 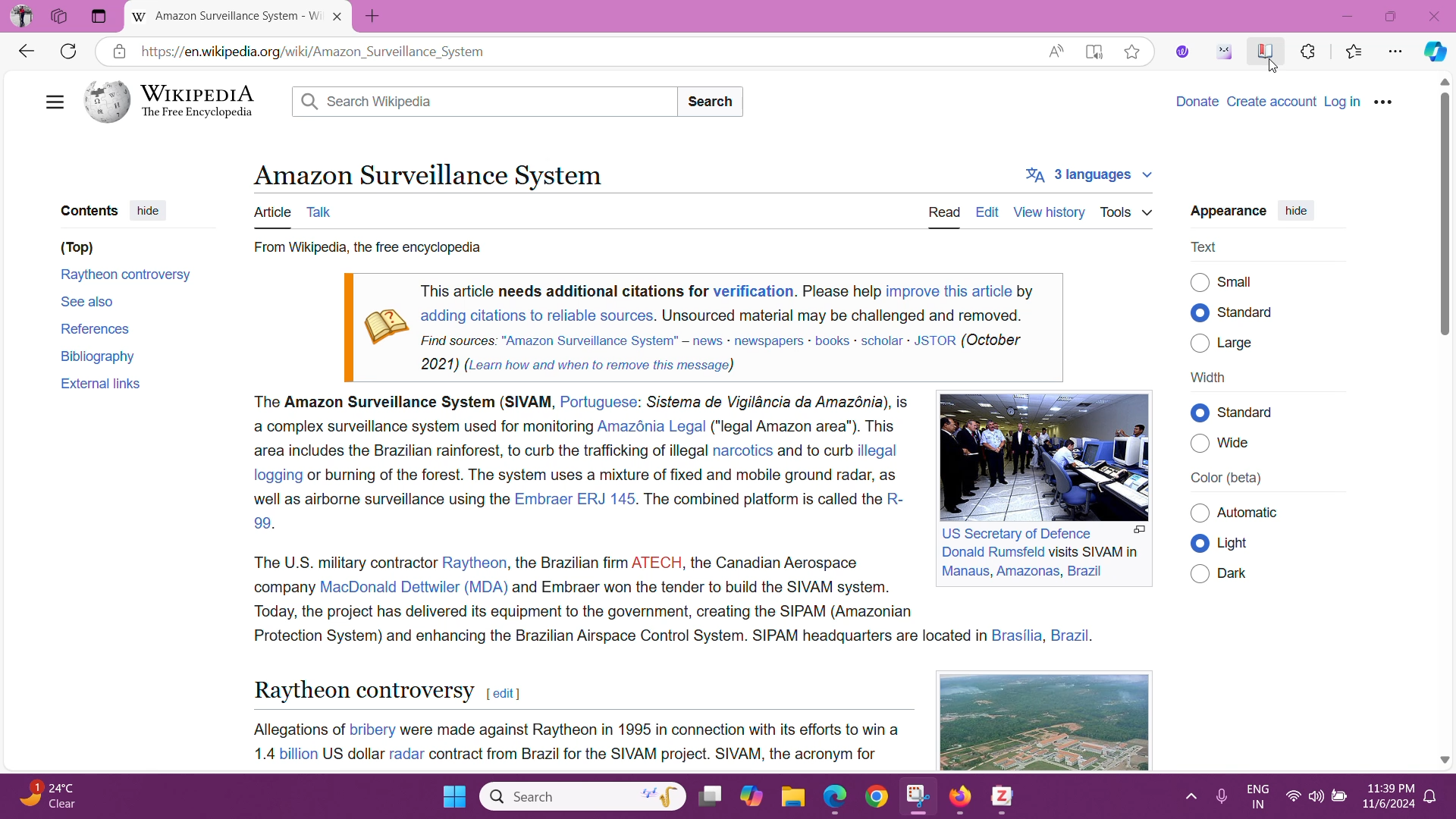 What do you see at coordinates (1200, 342) in the screenshot?
I see `Unselected` at bounding box center [1200, 342].